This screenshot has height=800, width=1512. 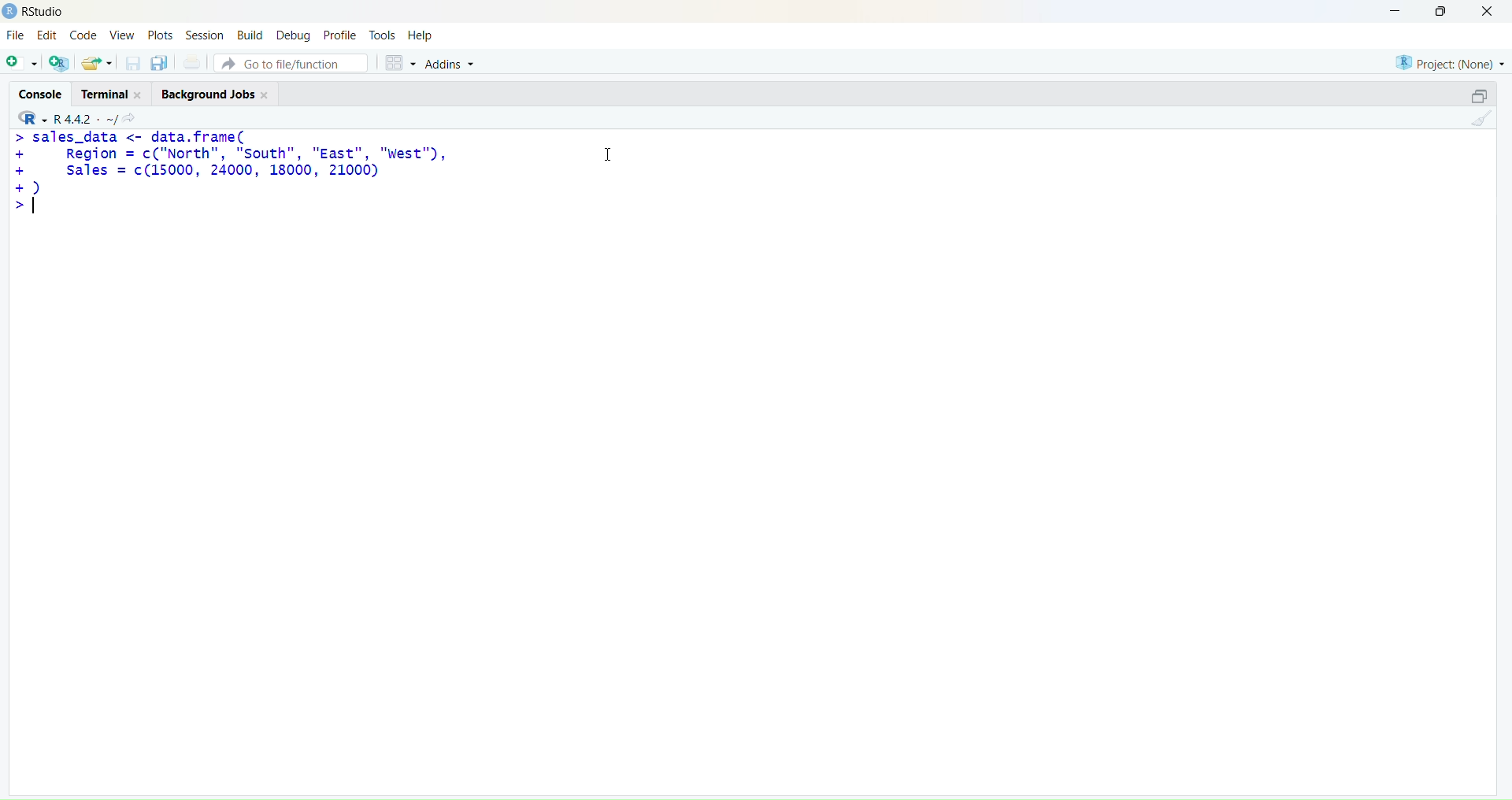 What do you see at coordinates (46, 37) in the screenshot?
I see `Edit` at bounding box center [46, 37].